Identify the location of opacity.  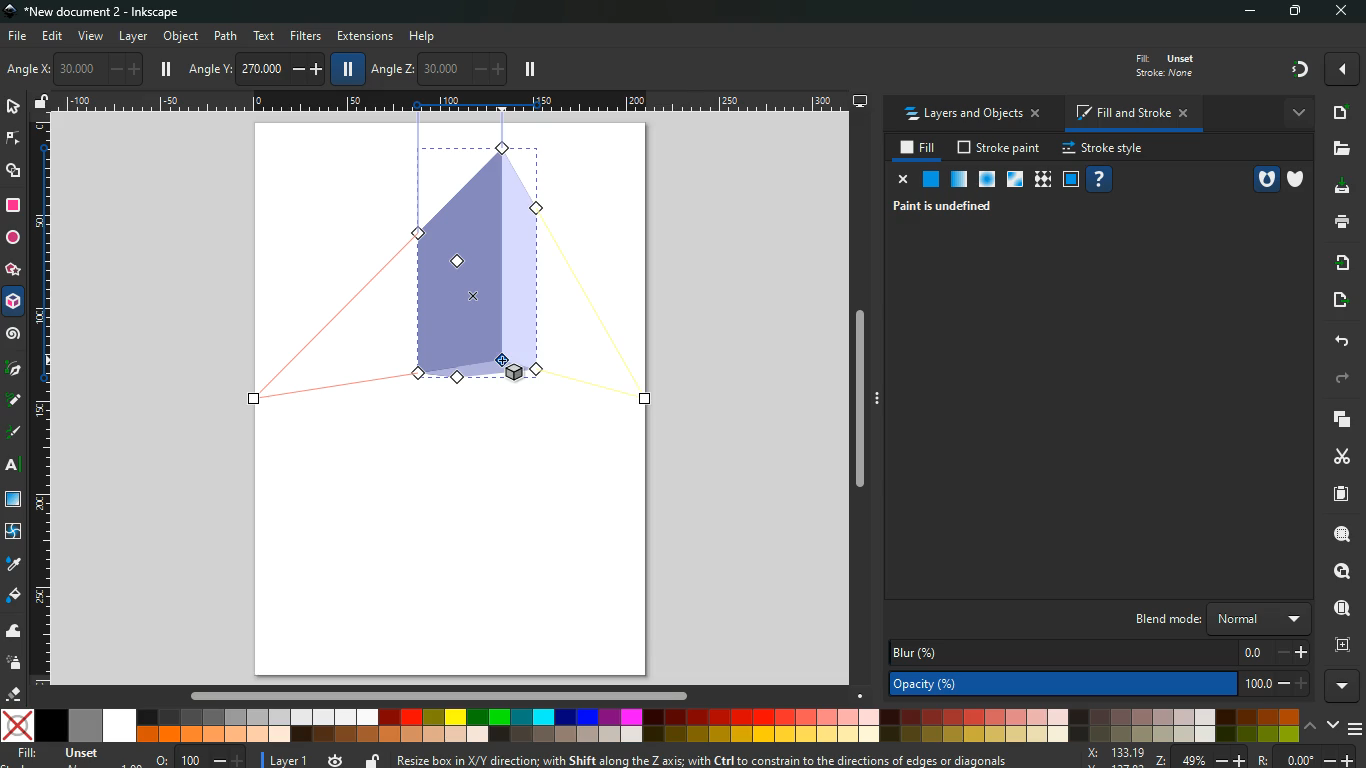
(1103, 686).